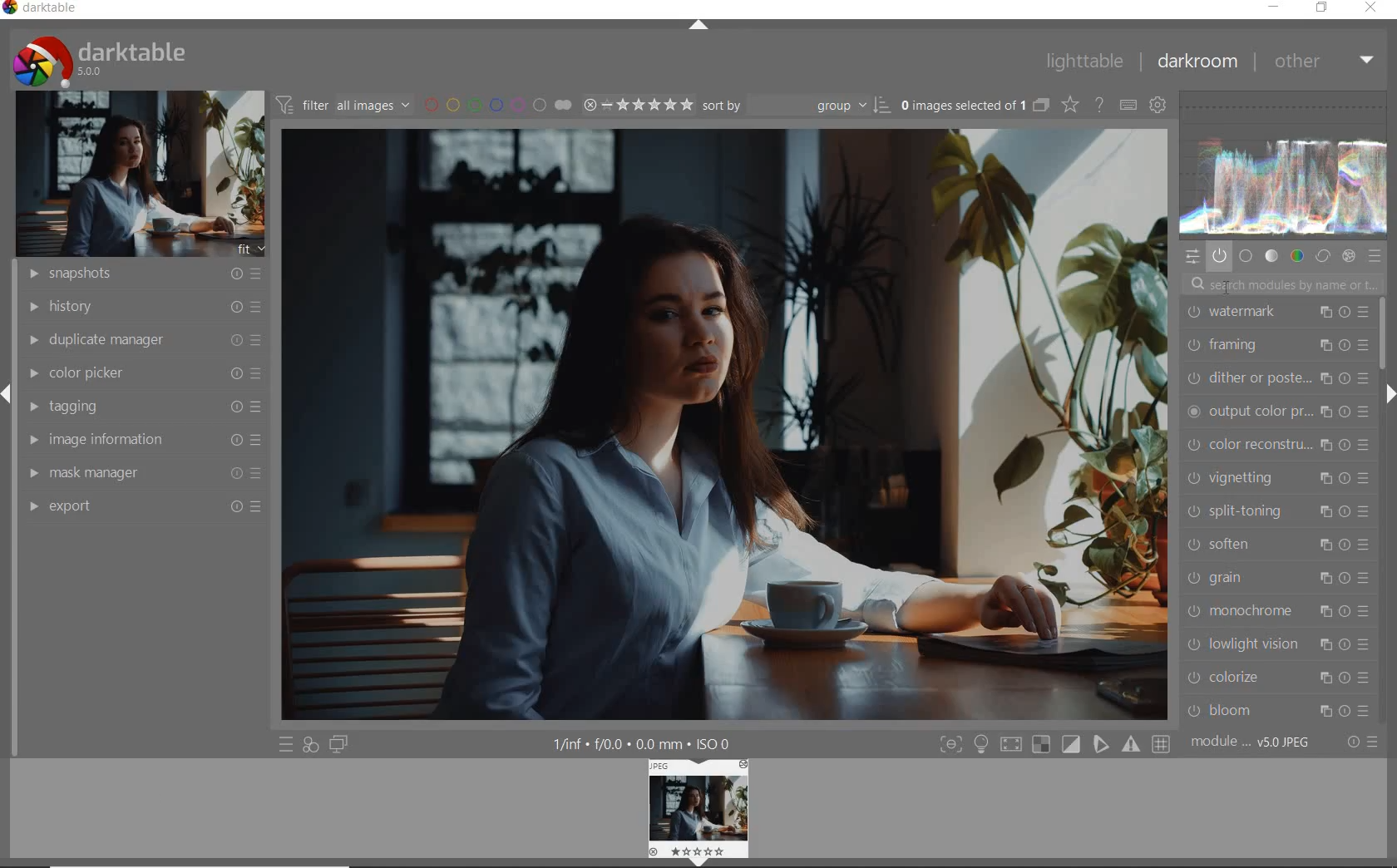  What do you see at coordinates (961, 105) in the screenshot?
I see `selected images` at bounding box center [961, 105].